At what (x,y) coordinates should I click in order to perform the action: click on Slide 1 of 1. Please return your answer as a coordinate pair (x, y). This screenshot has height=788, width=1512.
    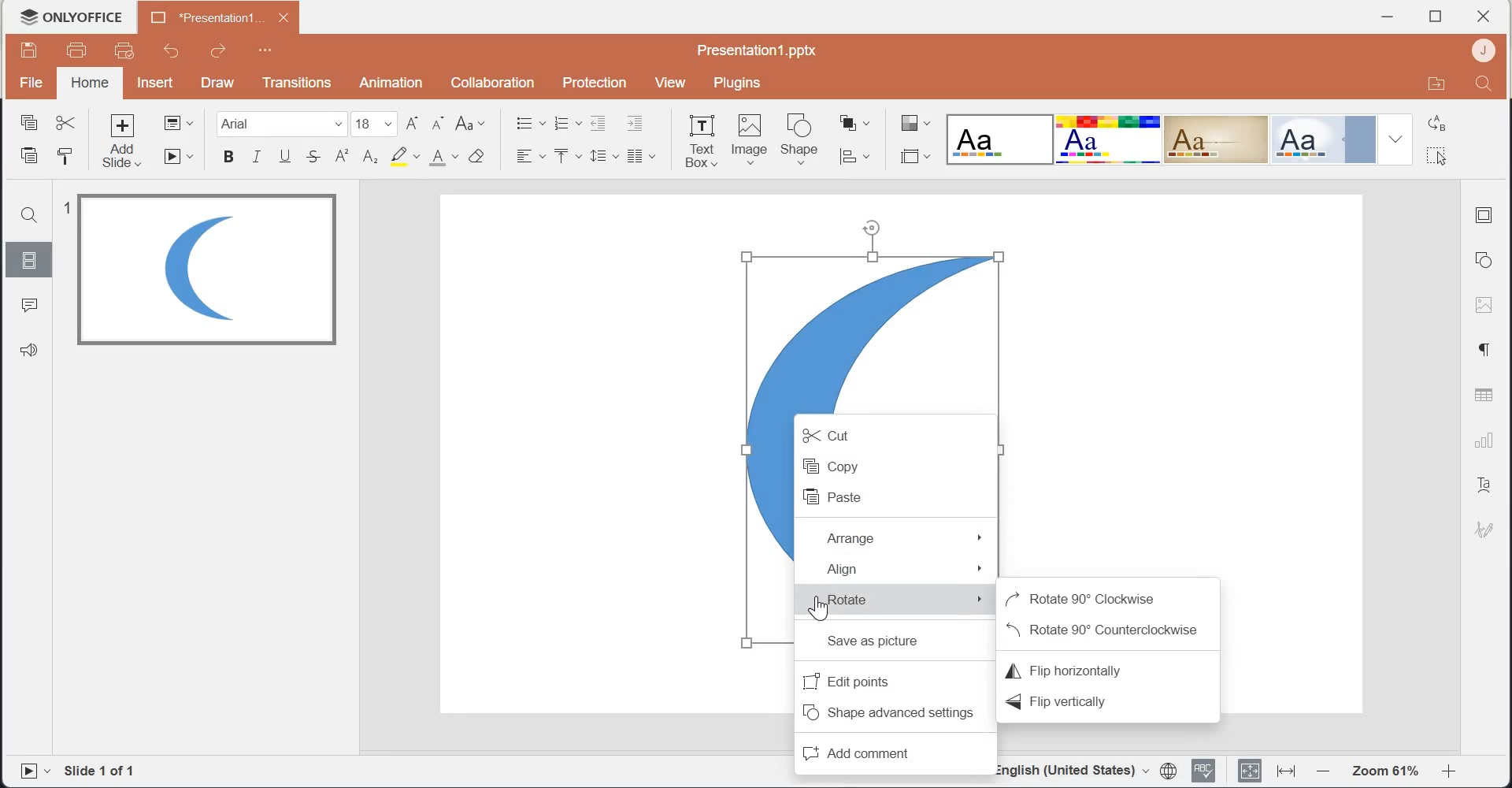
    Looking at the image, I should click on (105, 771).